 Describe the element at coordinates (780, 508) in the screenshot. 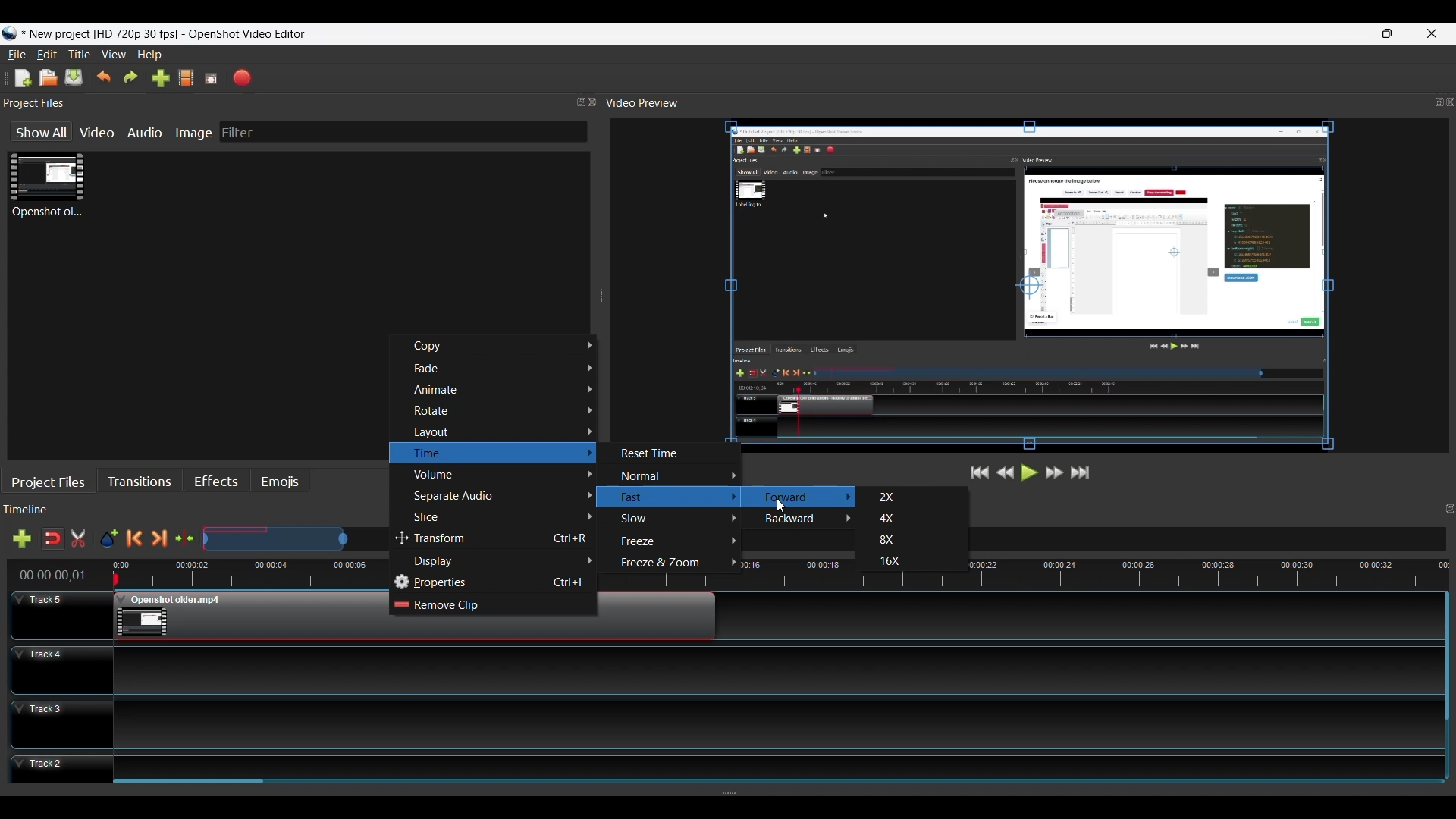

I see `Cursor` at that location.